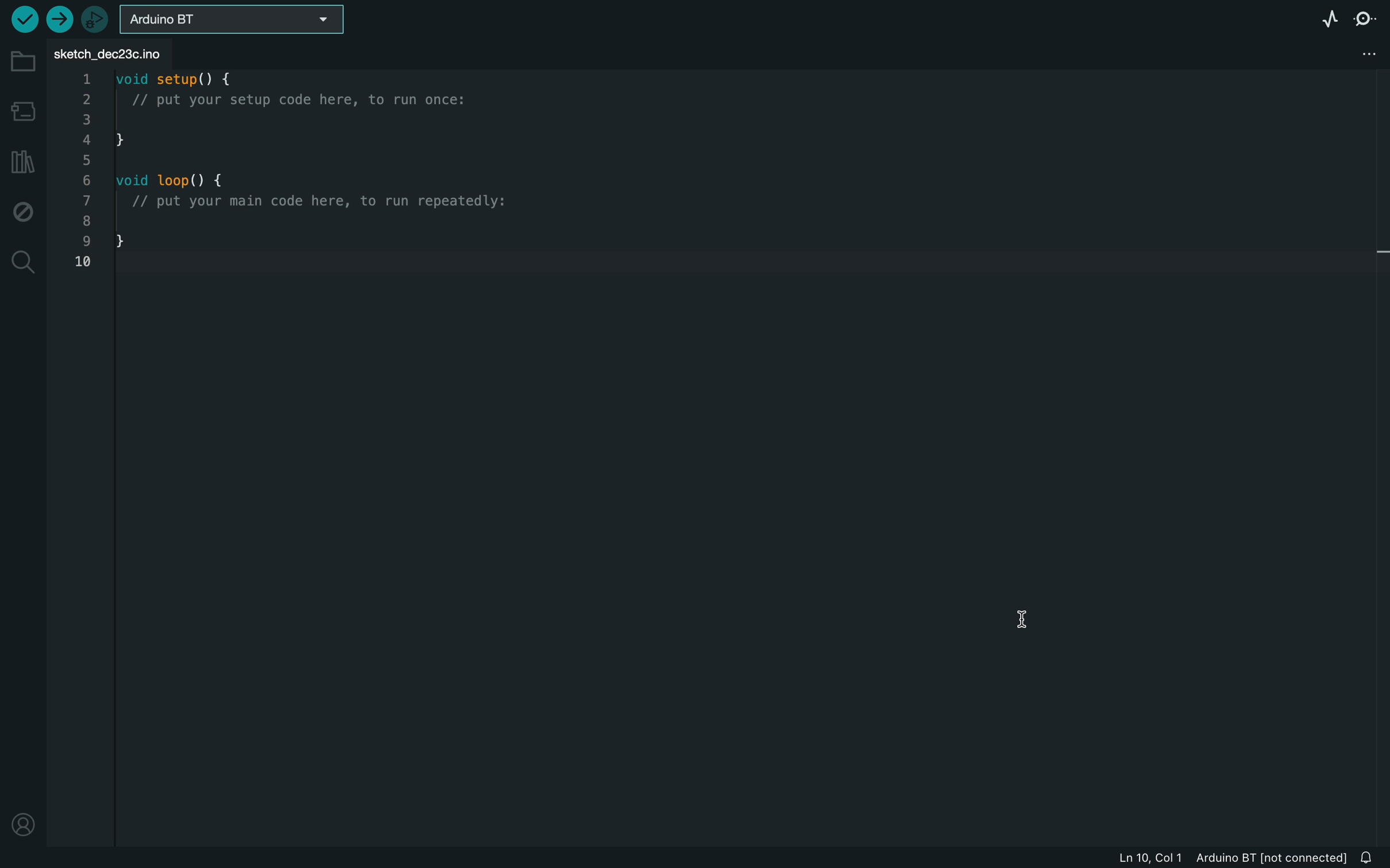 This screenshot has width=1390, height=868. What do you see at coordinates (300, 175) in the screenshot?
I see `code` at bounding box center [300, 175].